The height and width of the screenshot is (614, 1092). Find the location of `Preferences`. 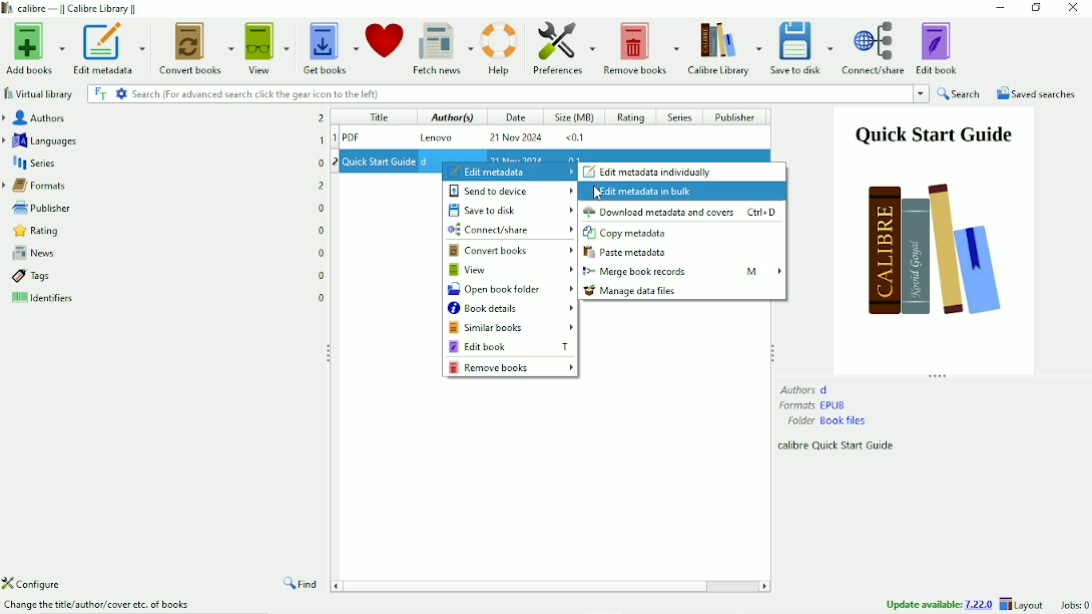

Preferences is located at coordinates (563, 48).